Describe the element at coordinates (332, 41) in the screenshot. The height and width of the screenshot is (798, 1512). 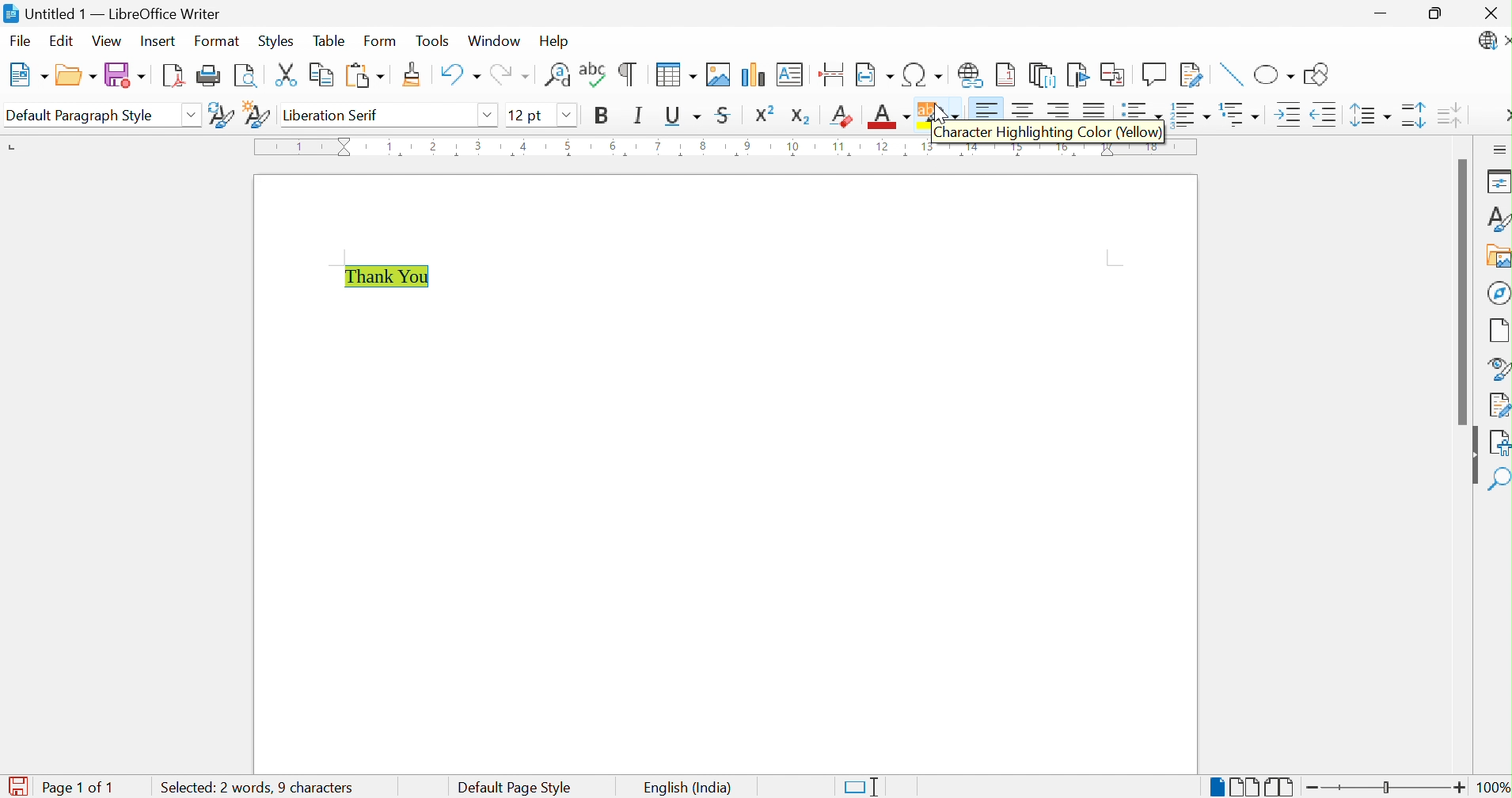
I see `Table` at that location.